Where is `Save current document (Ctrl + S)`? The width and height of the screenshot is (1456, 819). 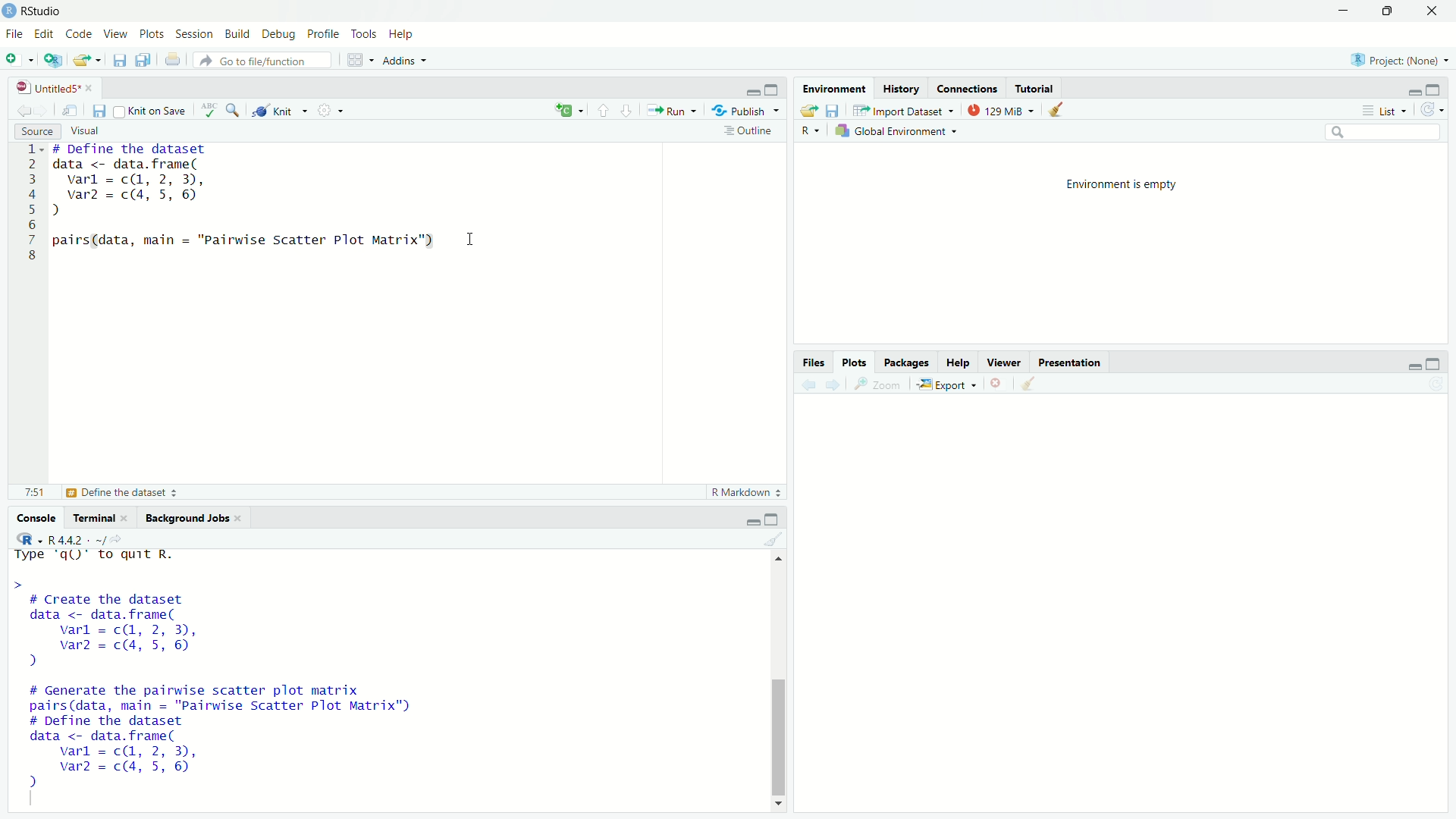 Save current document (Ctrl + S) is located at coordinates (120, 58).